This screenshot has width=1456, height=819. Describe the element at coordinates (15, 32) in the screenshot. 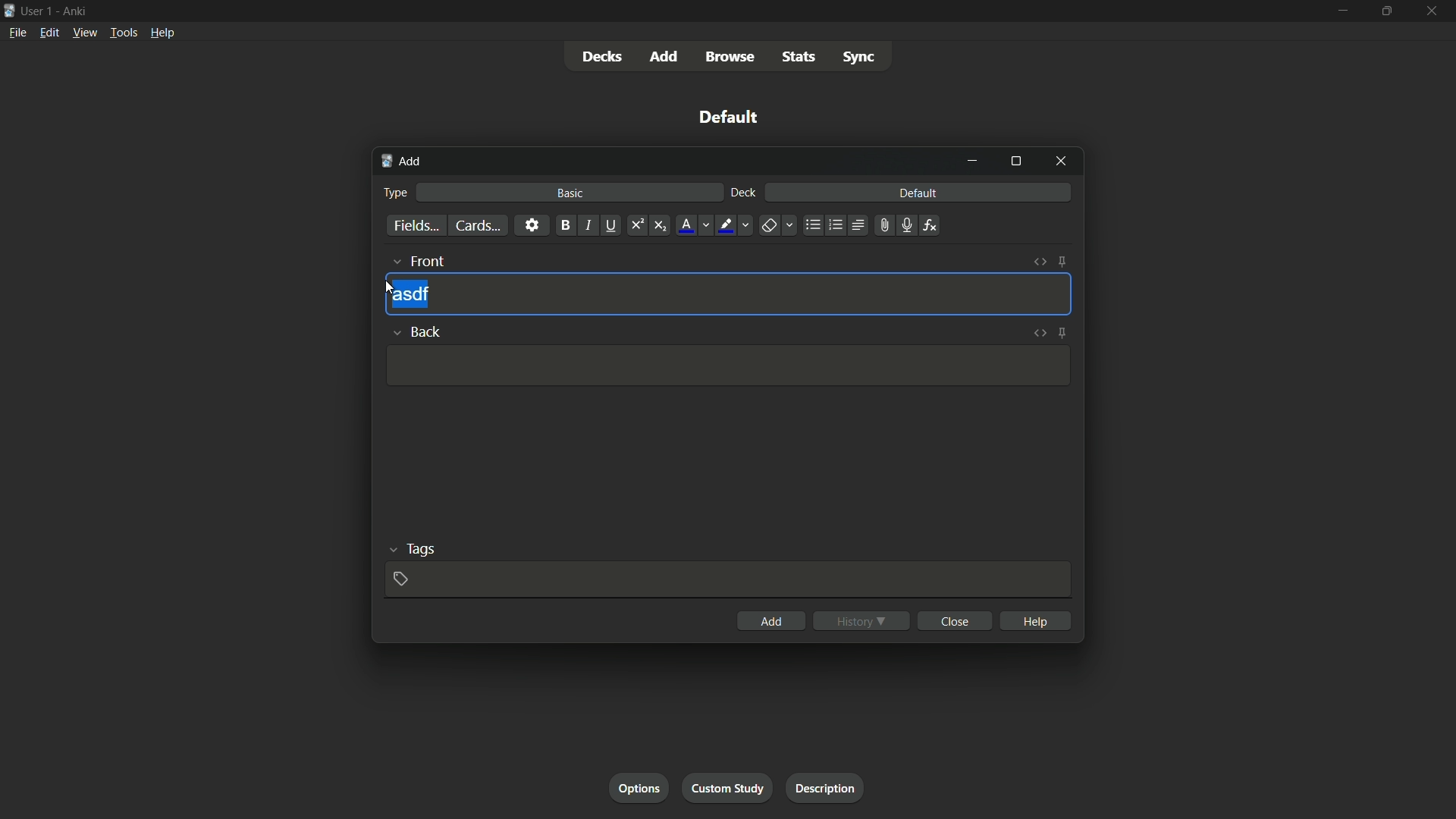

I see `file` at that location.